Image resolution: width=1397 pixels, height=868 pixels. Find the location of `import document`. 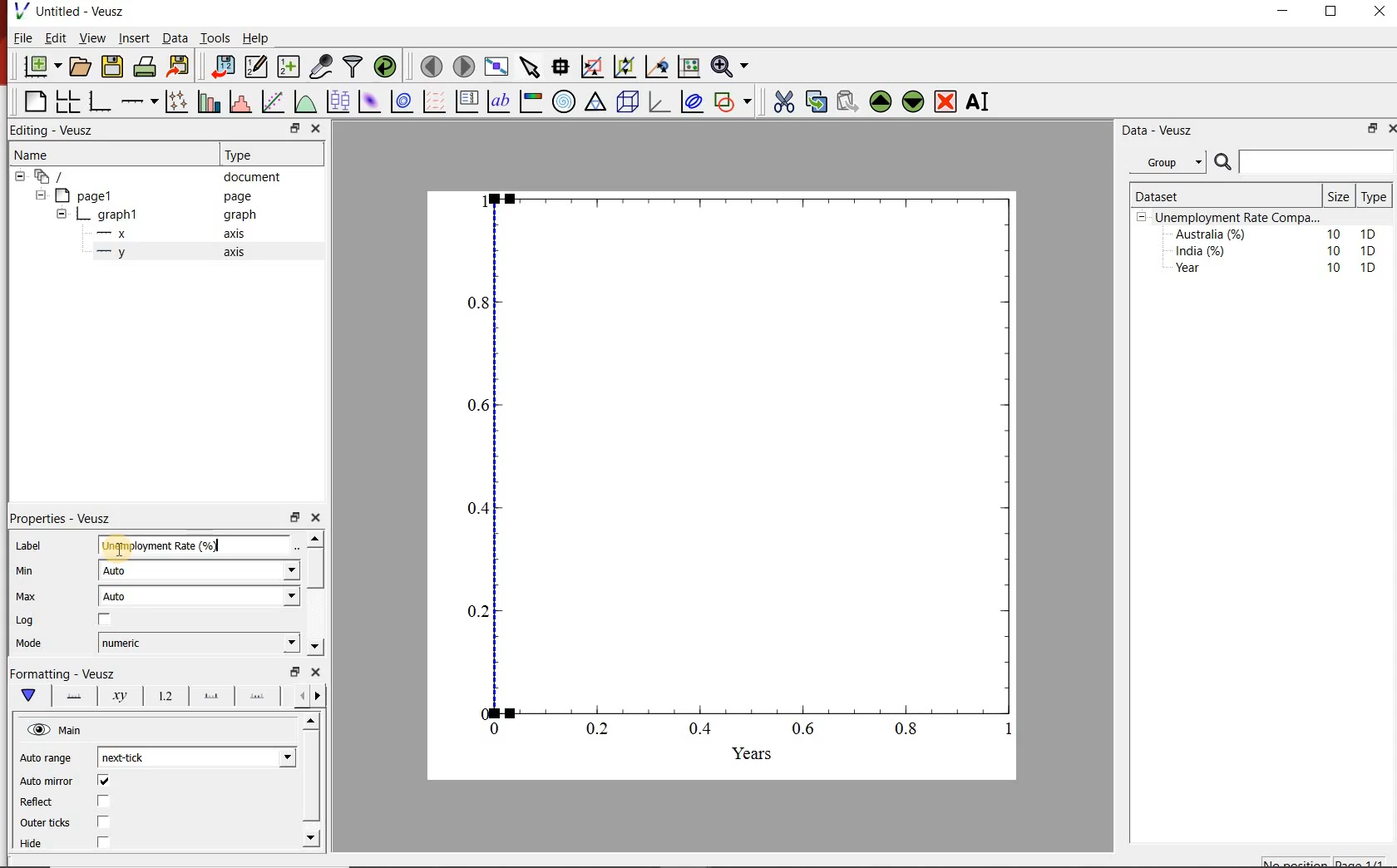

import document is located at coordinates (225, 65).